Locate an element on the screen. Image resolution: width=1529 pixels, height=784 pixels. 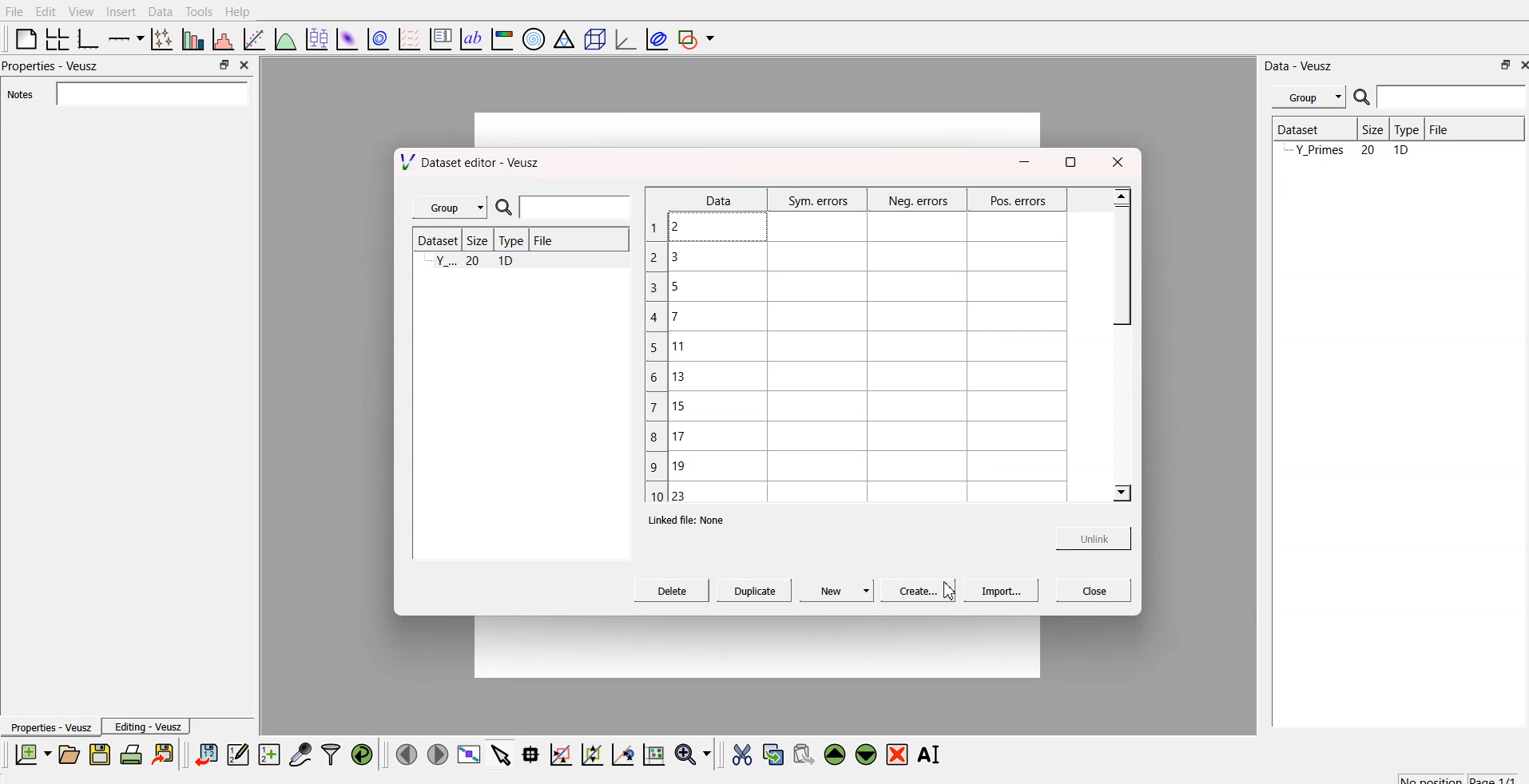
3D scene is located at coordinates (595, 41).